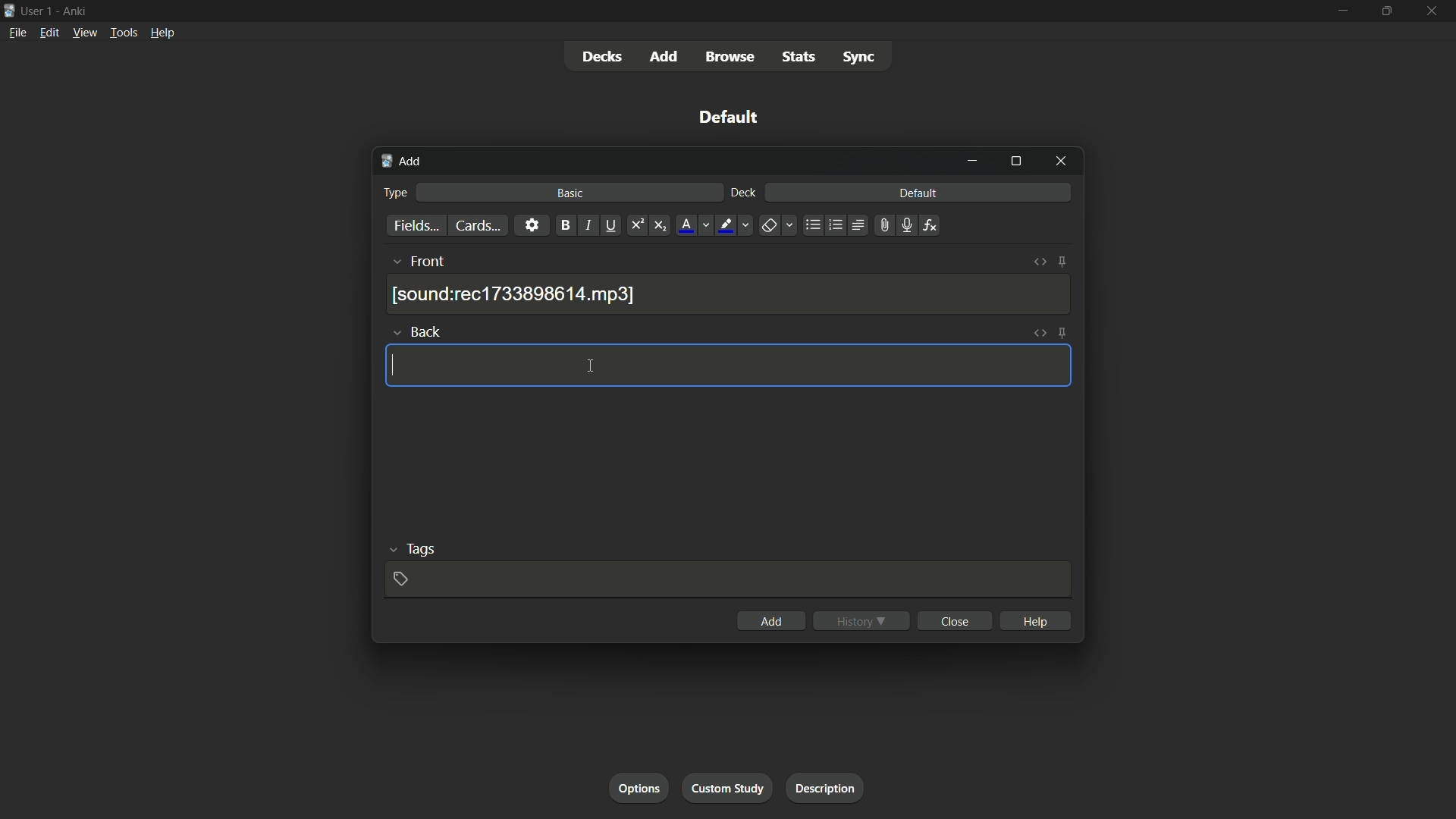 The image size is (1456, 819). What do you see at coordinates (1433, 11) in the screenshot?
I see `close app` at bounding box center [1433, 11].